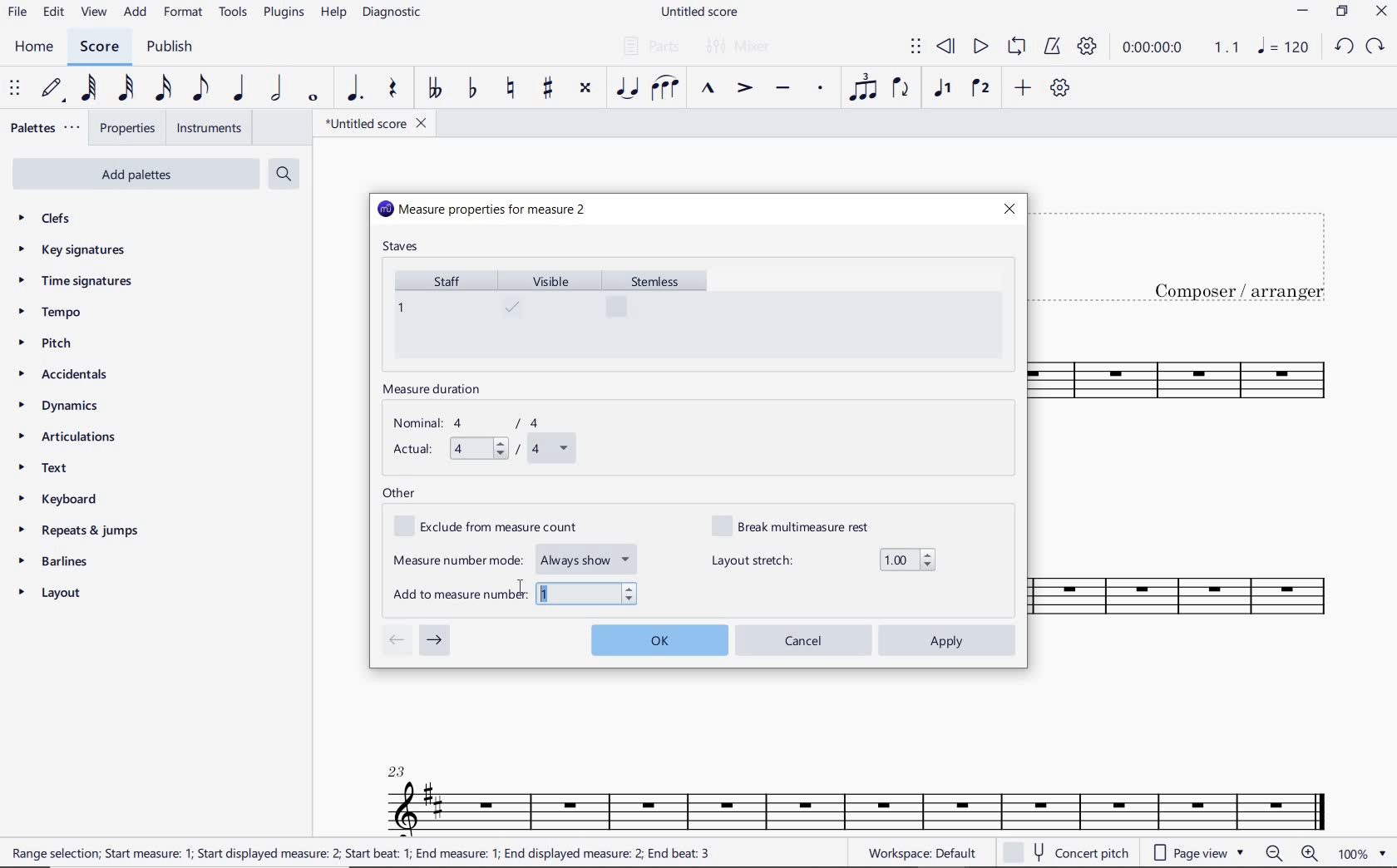 Image resolution: width=1397 pixels, height=868 pixels. What do you see at coordinates (205, 127) in the screenshot?
I see `INSTRUMENTS` at bounding box center [205, 127].